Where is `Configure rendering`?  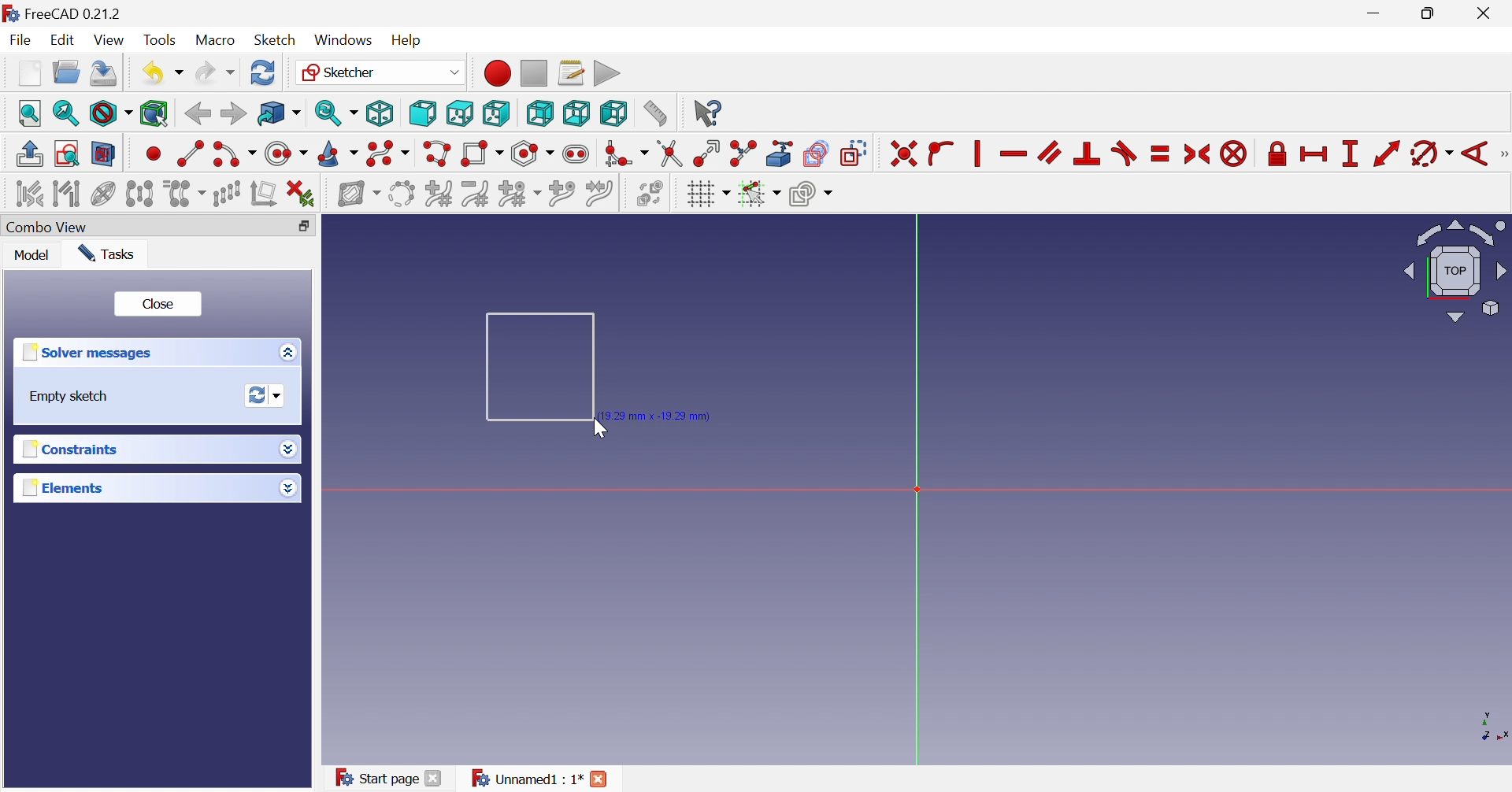
Configure rendering is located at coordinates (811, 196).